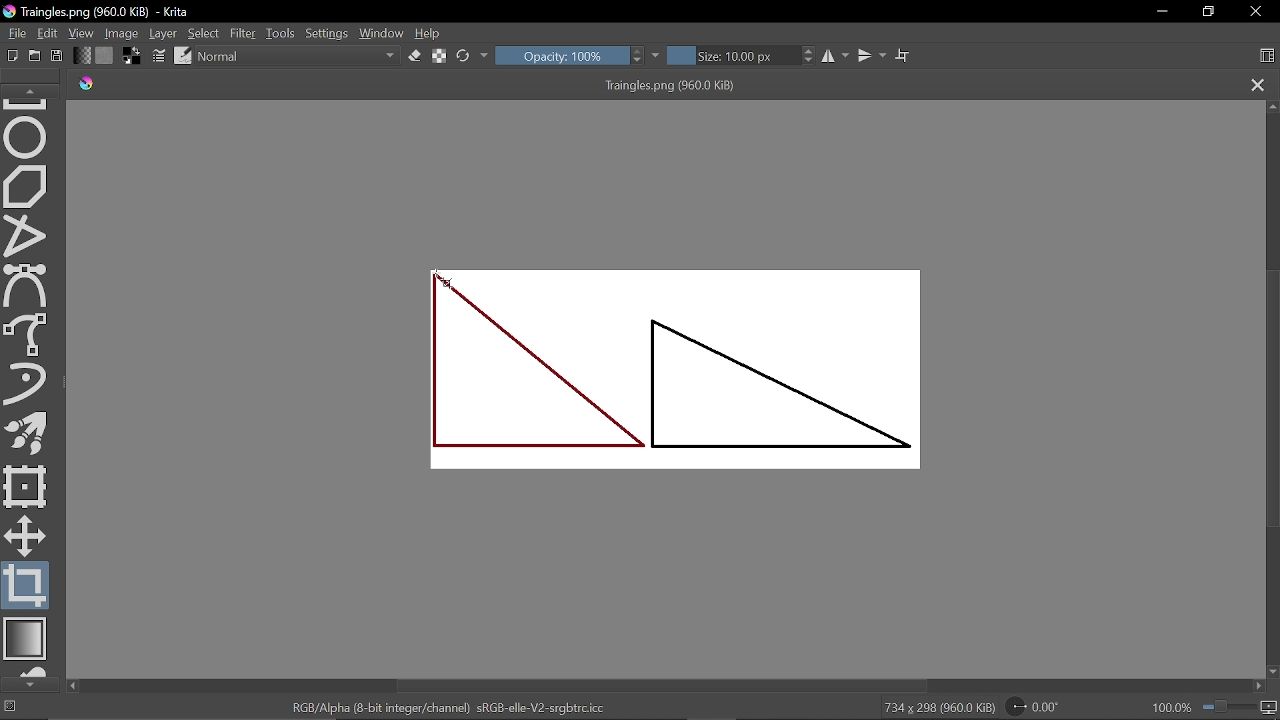 The width and height of the screenshot is (1280, 720). I want to click on Edit brush settings, so click(160, 57).